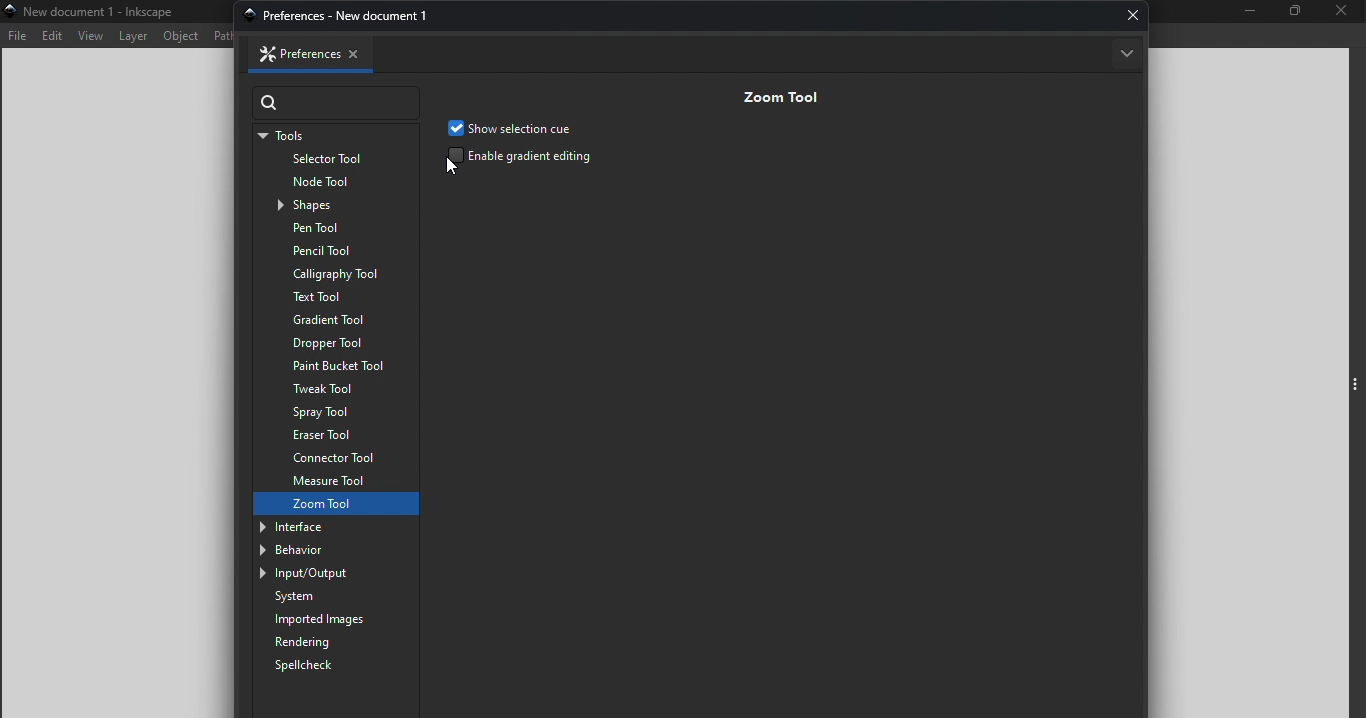 The height and width of the screenshot is (718, 1366). I want to click on Preferences, so click(291, 53).